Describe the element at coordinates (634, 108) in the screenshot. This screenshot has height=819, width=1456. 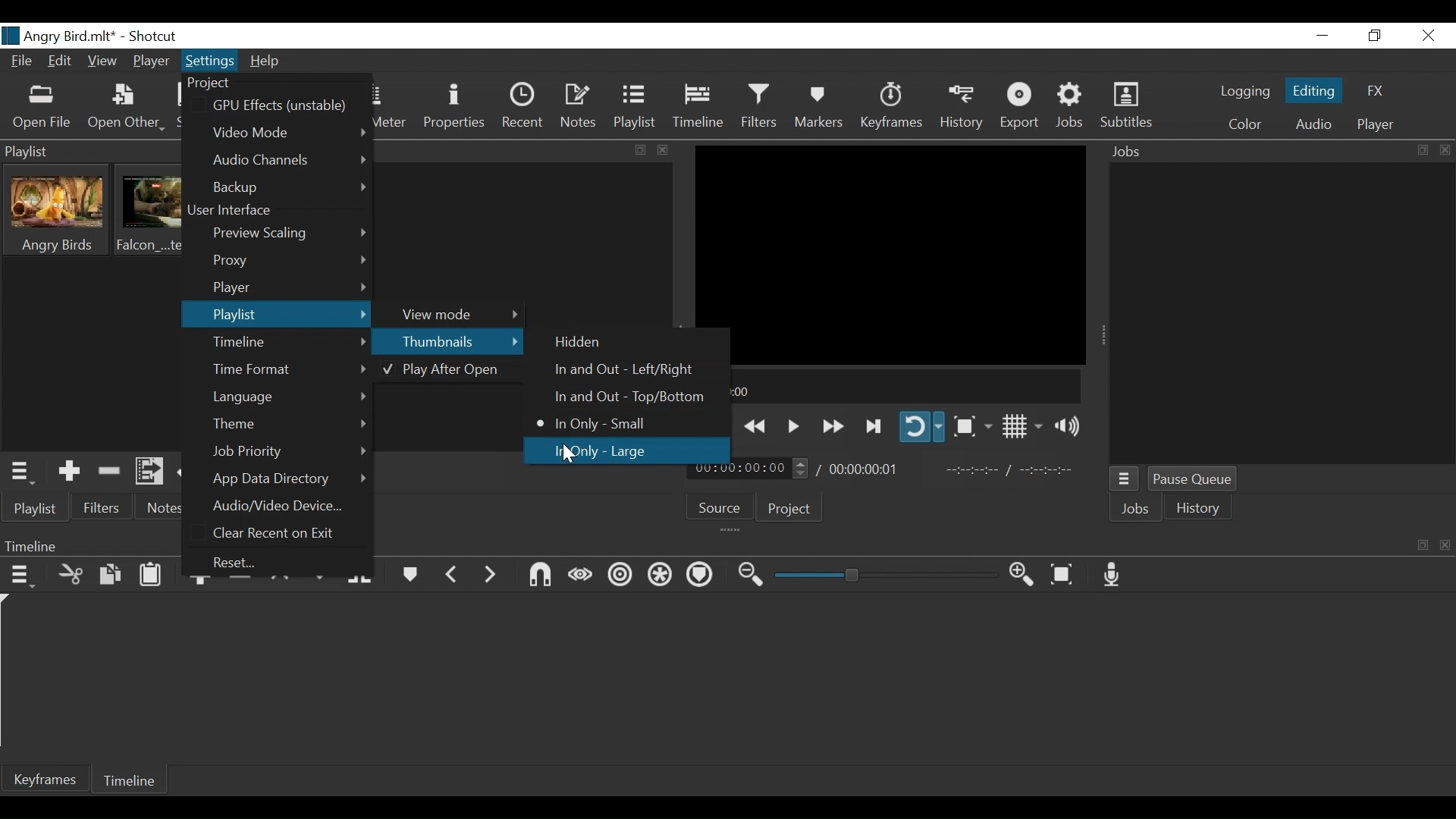
I see `Playlist` at that location.